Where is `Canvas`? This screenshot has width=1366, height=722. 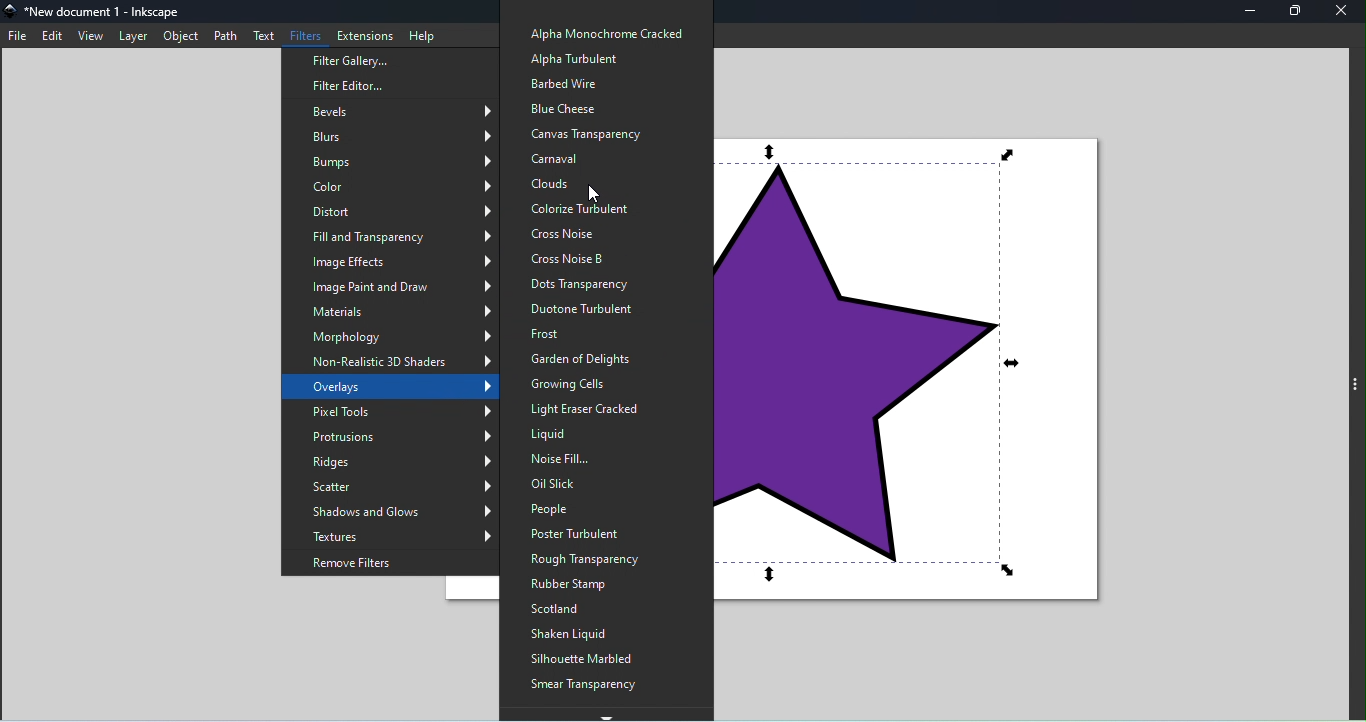 Canvas is located at coordinates (926, 382).